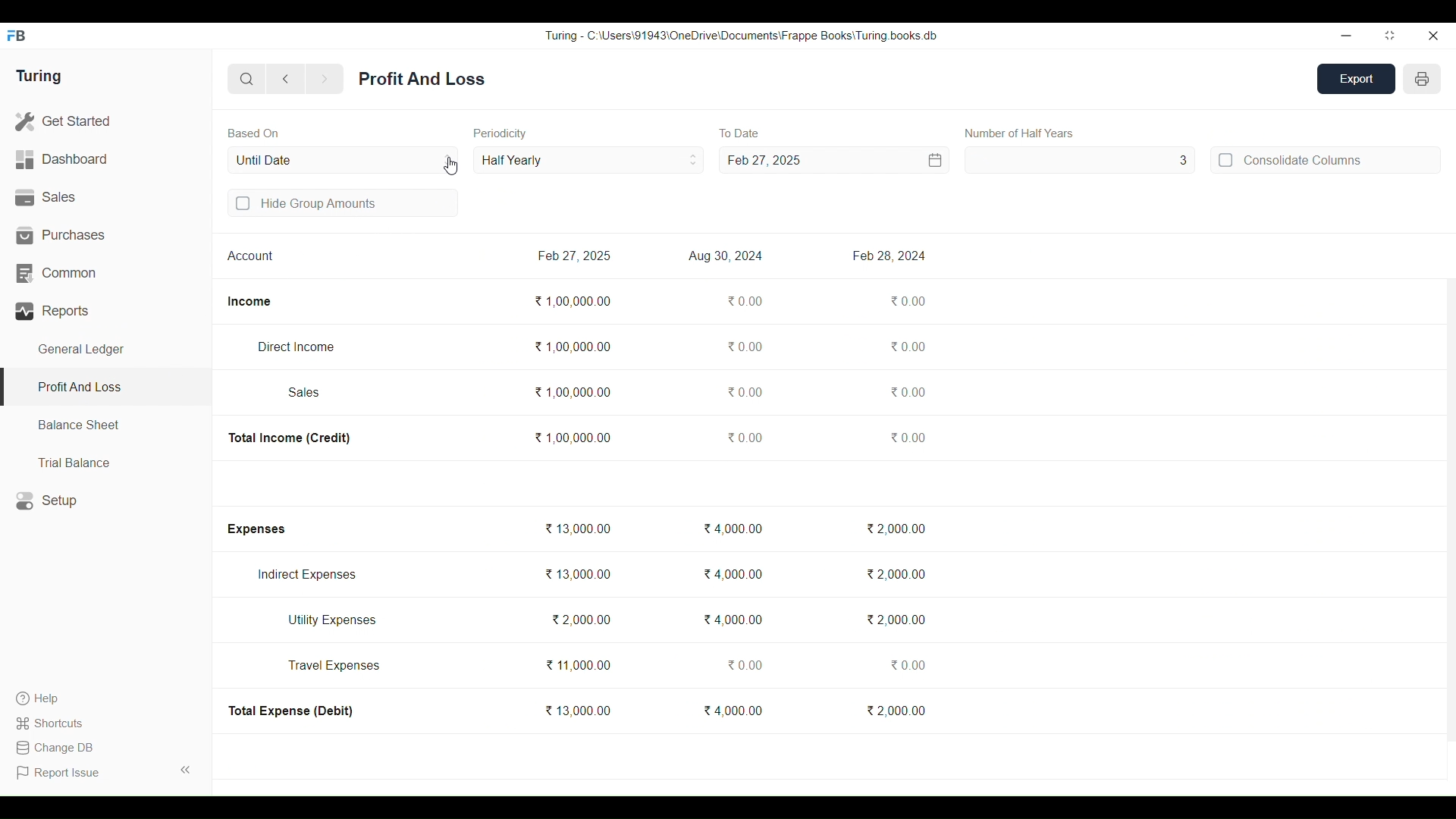  What do you see at coordinates (106, 425) in the screenshot?
I see `Balance Sheet` at bounding box center [106, 425].